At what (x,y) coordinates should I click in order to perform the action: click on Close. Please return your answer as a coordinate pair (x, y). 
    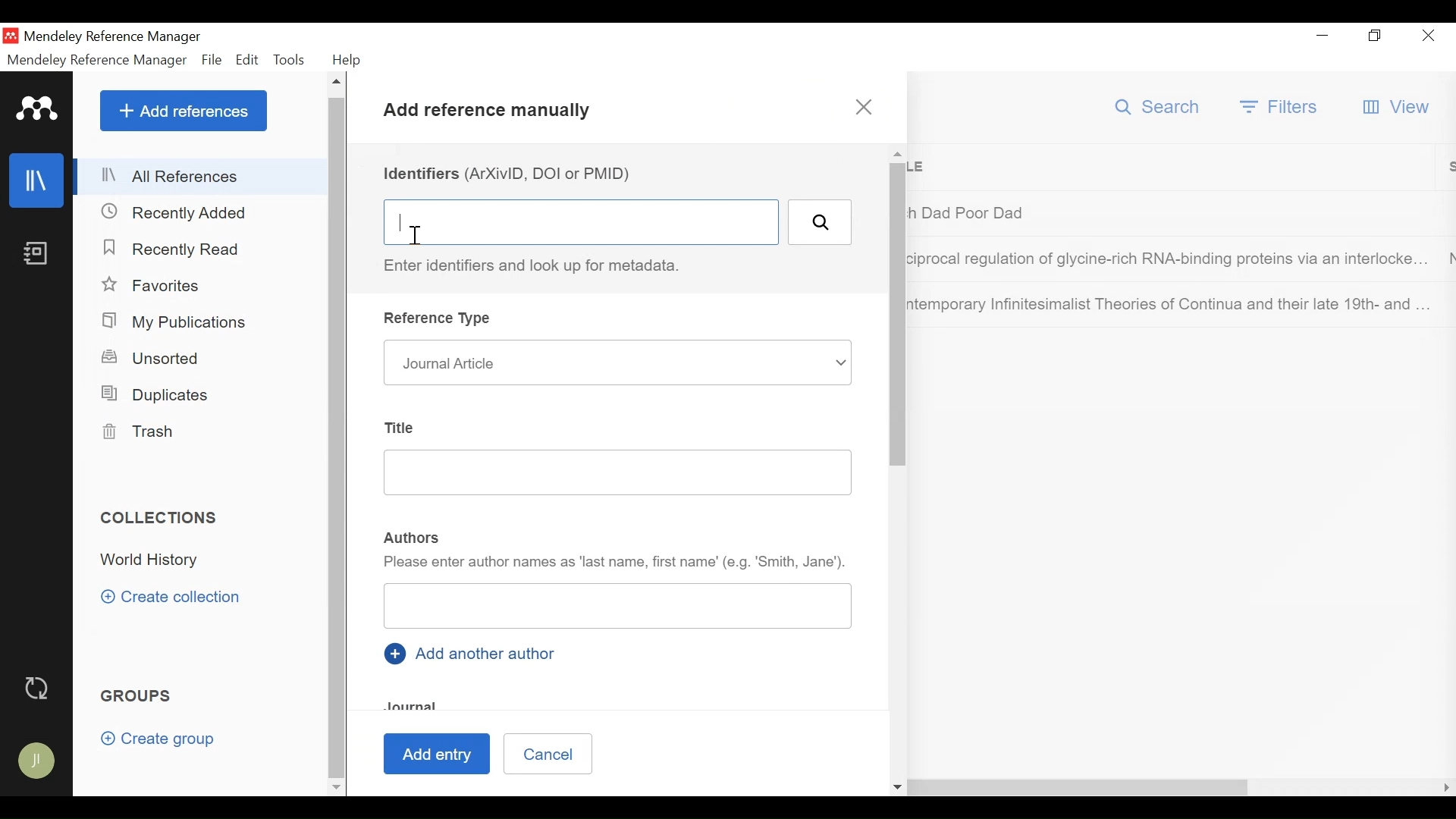
    Looking at the image, I should click on (1428, 37).